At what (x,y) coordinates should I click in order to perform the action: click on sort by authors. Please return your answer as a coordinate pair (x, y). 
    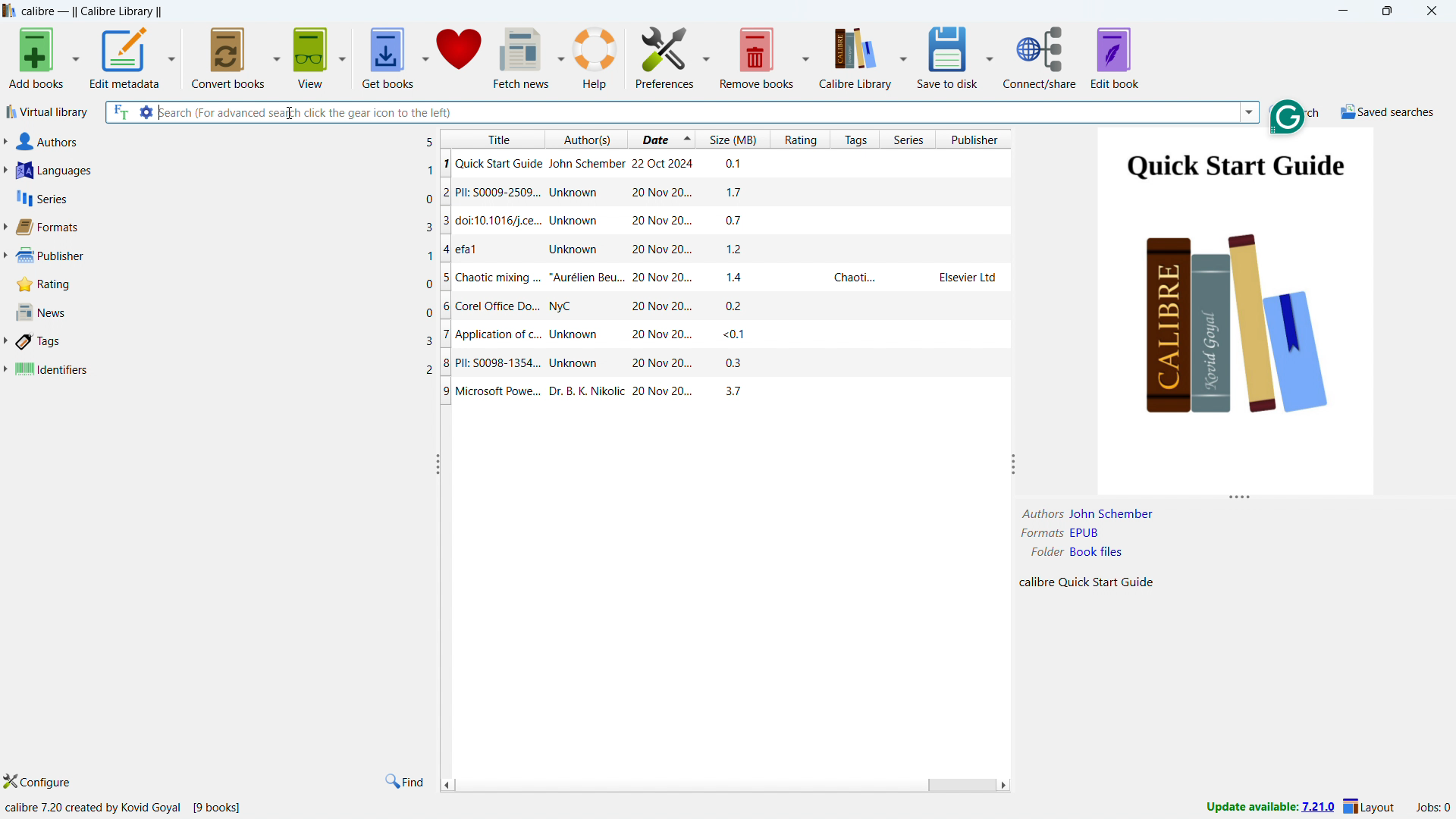
    Looking at the image, I should click on (588, 139).